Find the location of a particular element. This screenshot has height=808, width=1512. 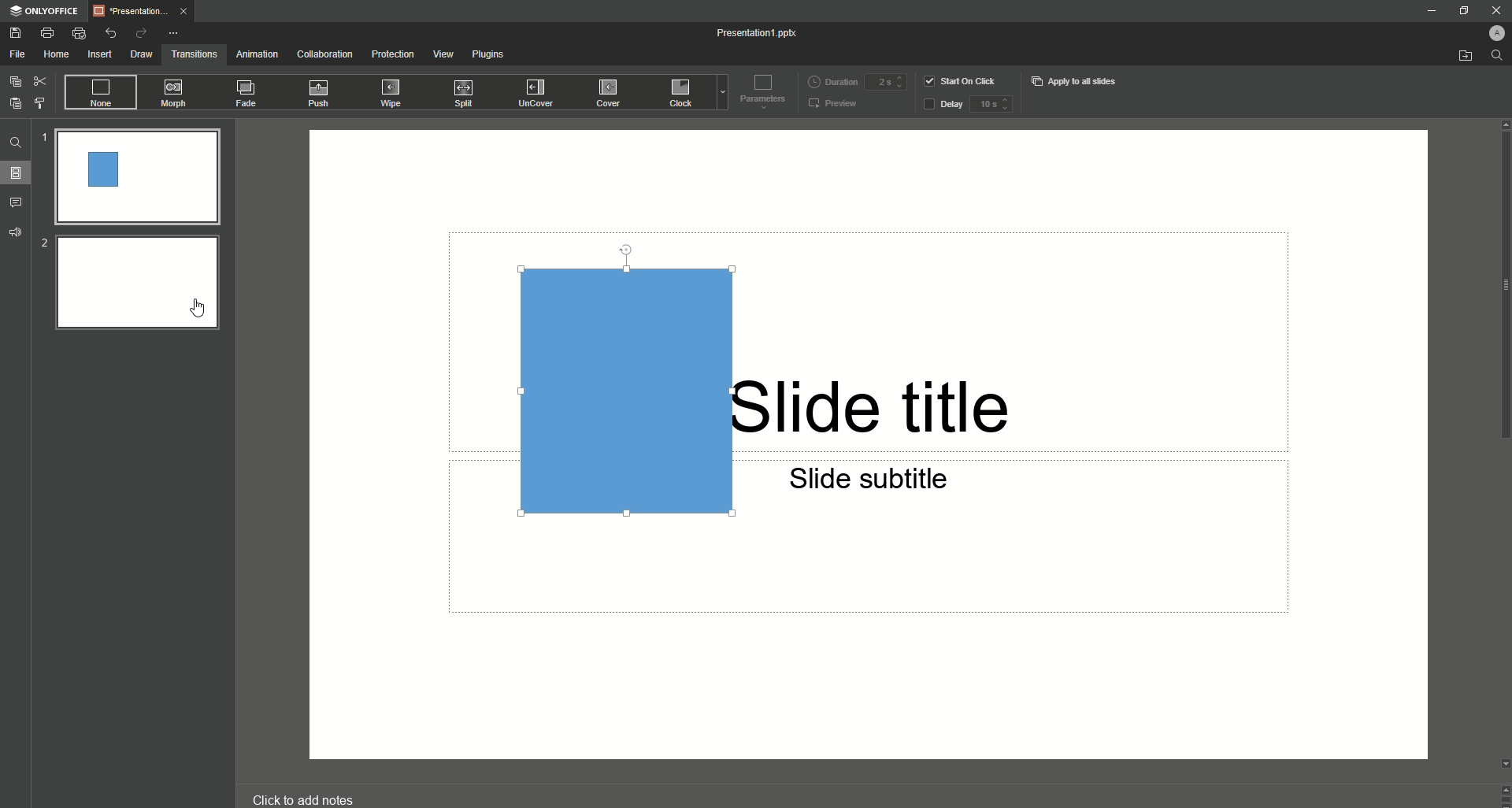

Start on click is located at coordinates (962, 80).